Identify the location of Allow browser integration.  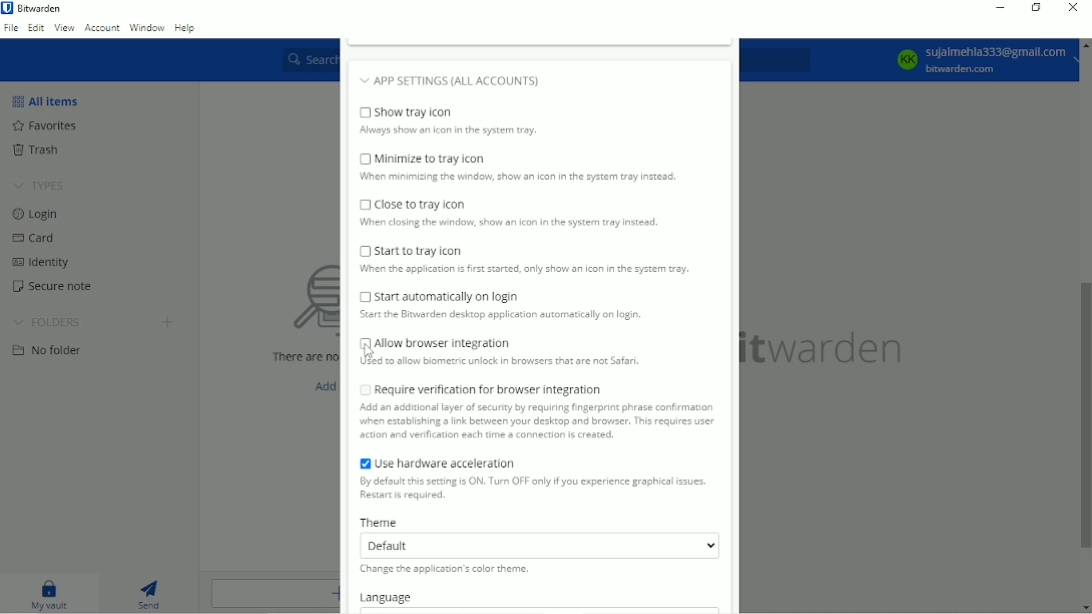
(433, 342).